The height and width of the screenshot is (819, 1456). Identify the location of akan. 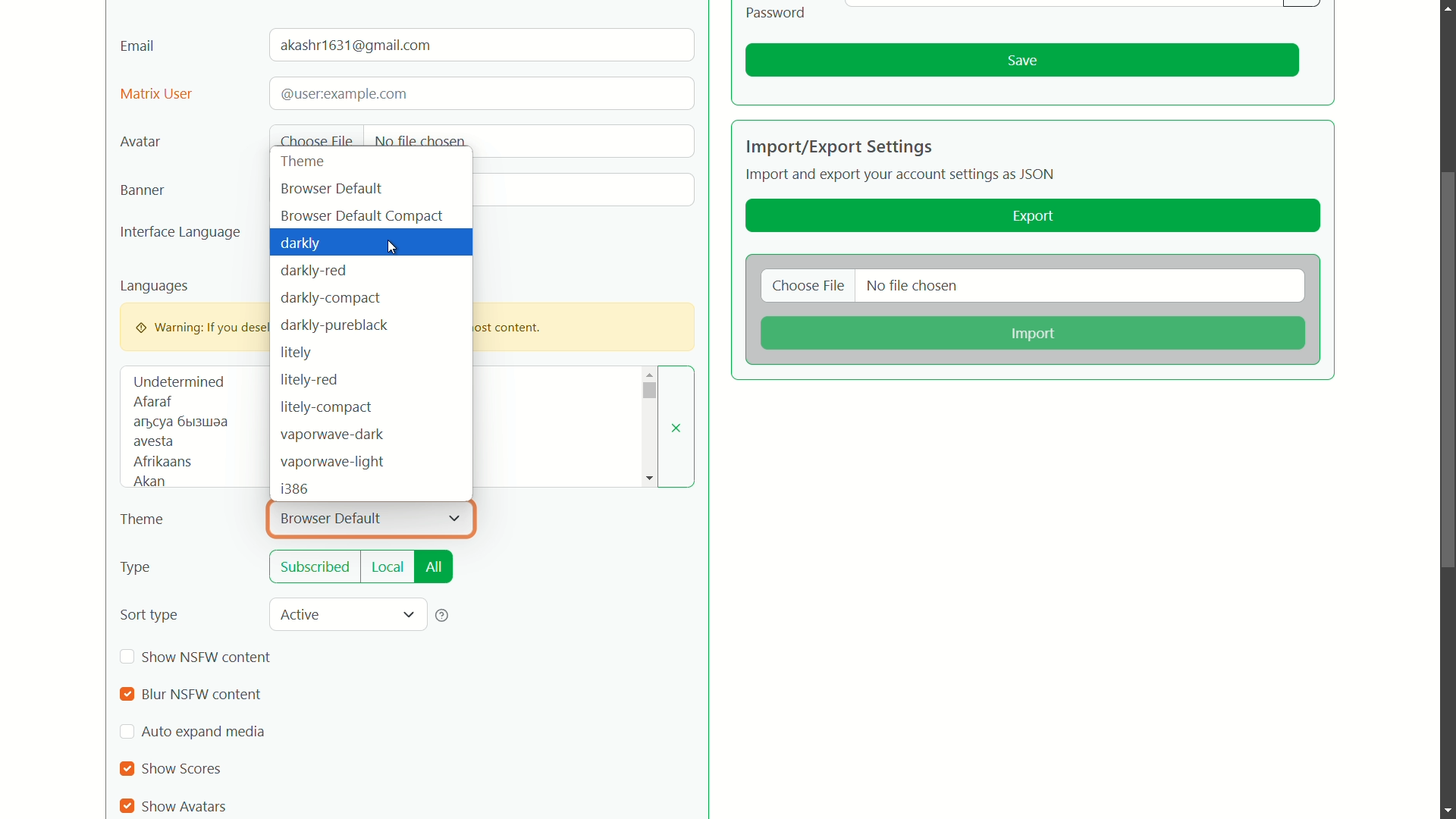
(147, 482).